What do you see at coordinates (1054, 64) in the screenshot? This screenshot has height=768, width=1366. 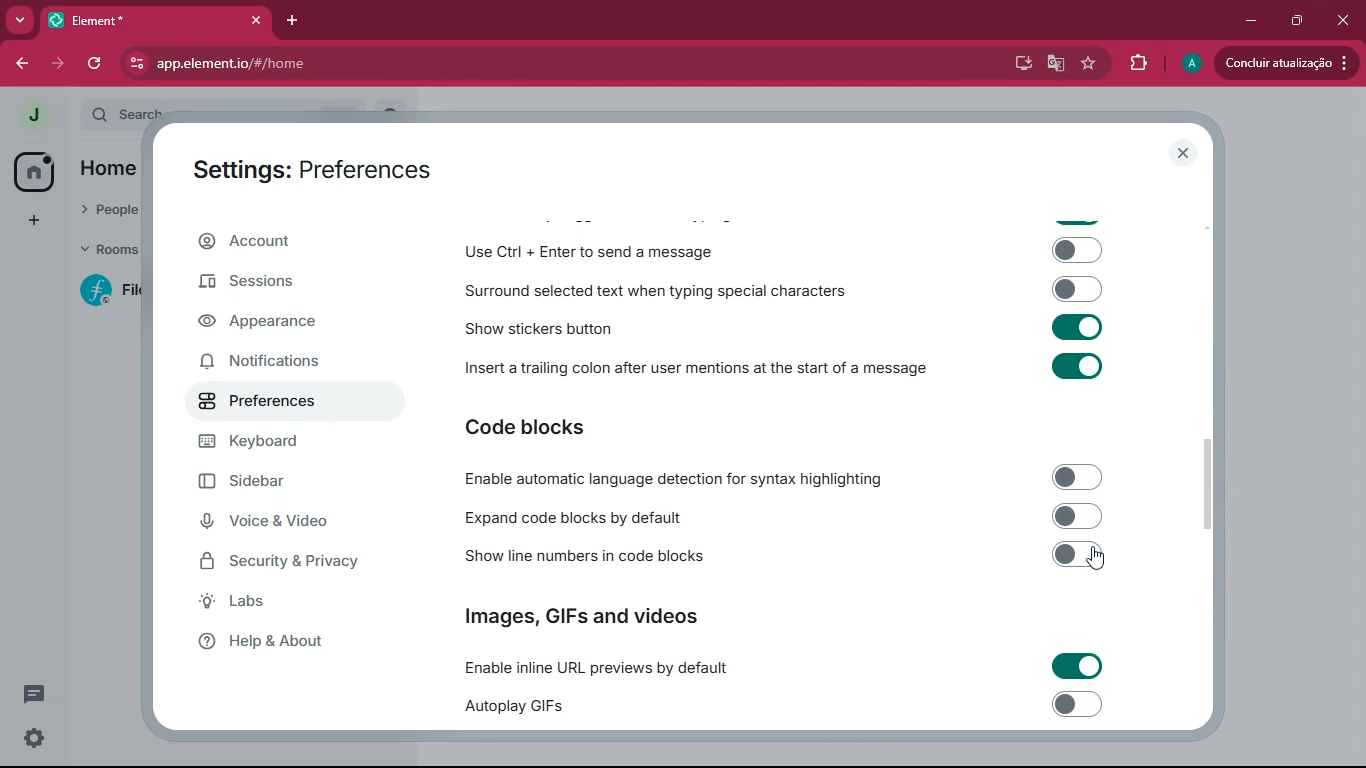 I see `google translate` at bounding box center [1054, 64].